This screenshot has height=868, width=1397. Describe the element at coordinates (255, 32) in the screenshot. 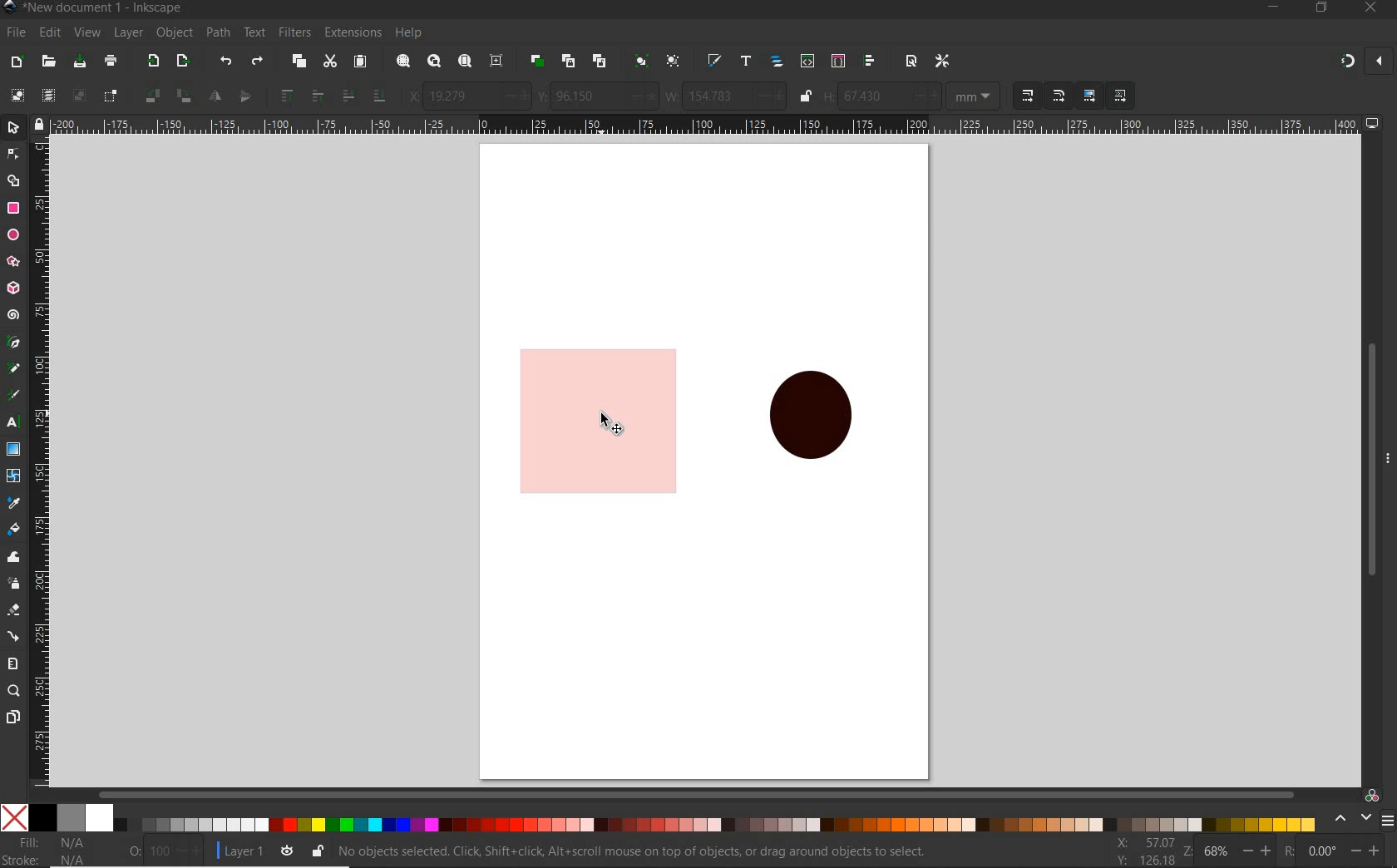

I see `text` at that location.